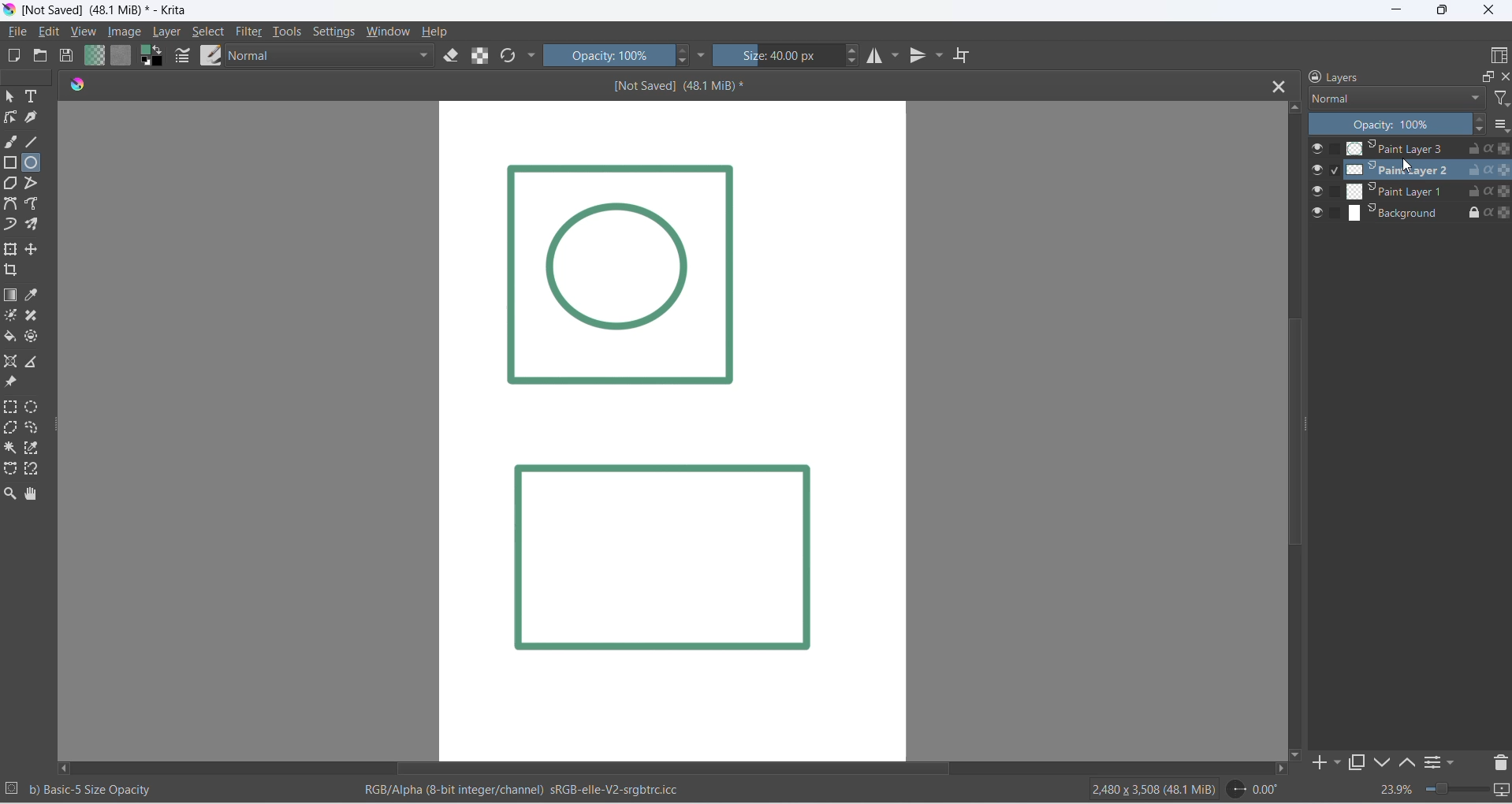 This screenshot has width=1512, height=804. What do you see at coordinates (10, 470) in the screenshot?
I see `curve selection tool` at bounding box center [10, 470].